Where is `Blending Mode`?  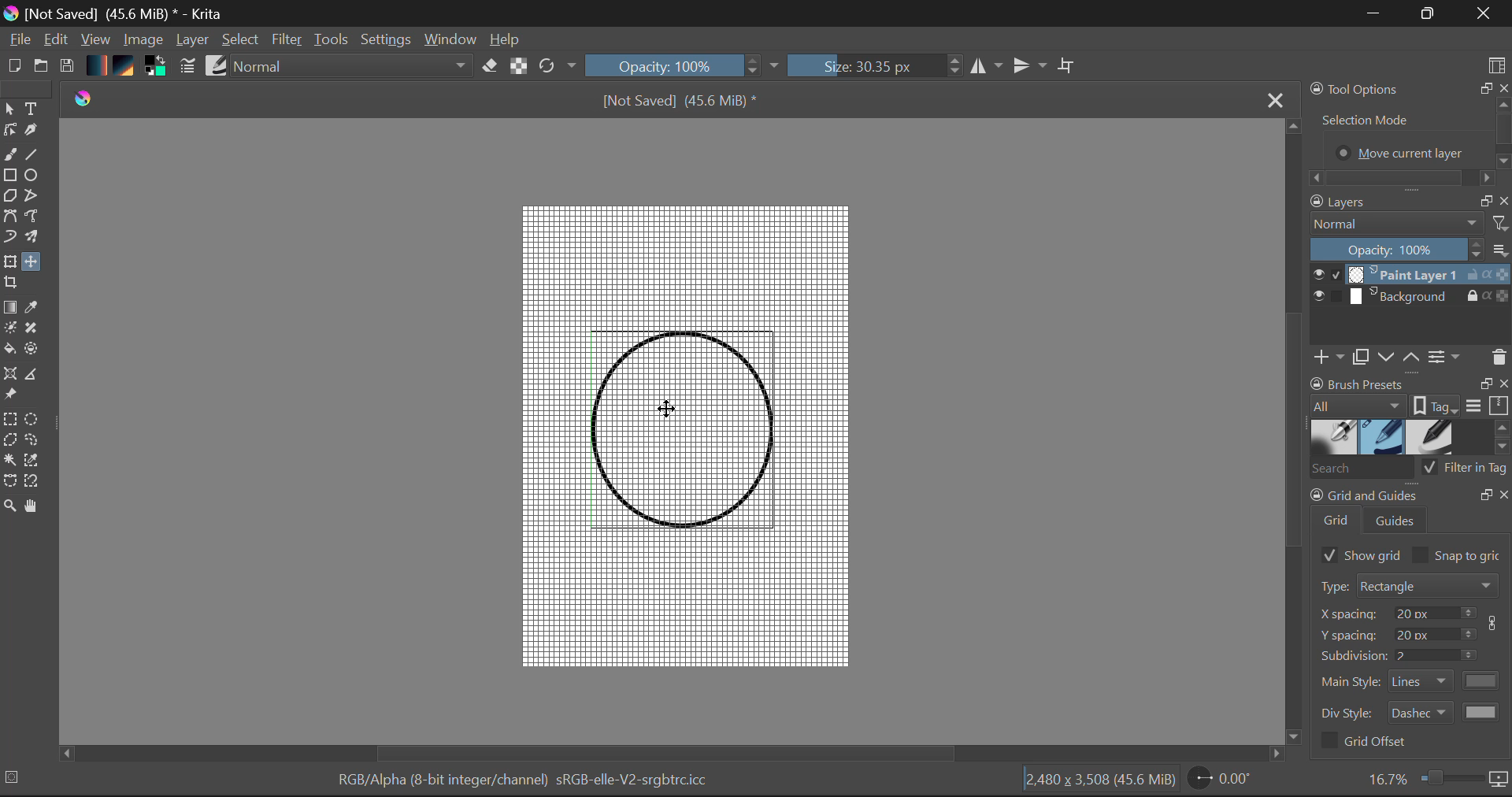 Blending Mode is located at coordinates (1409, 224).